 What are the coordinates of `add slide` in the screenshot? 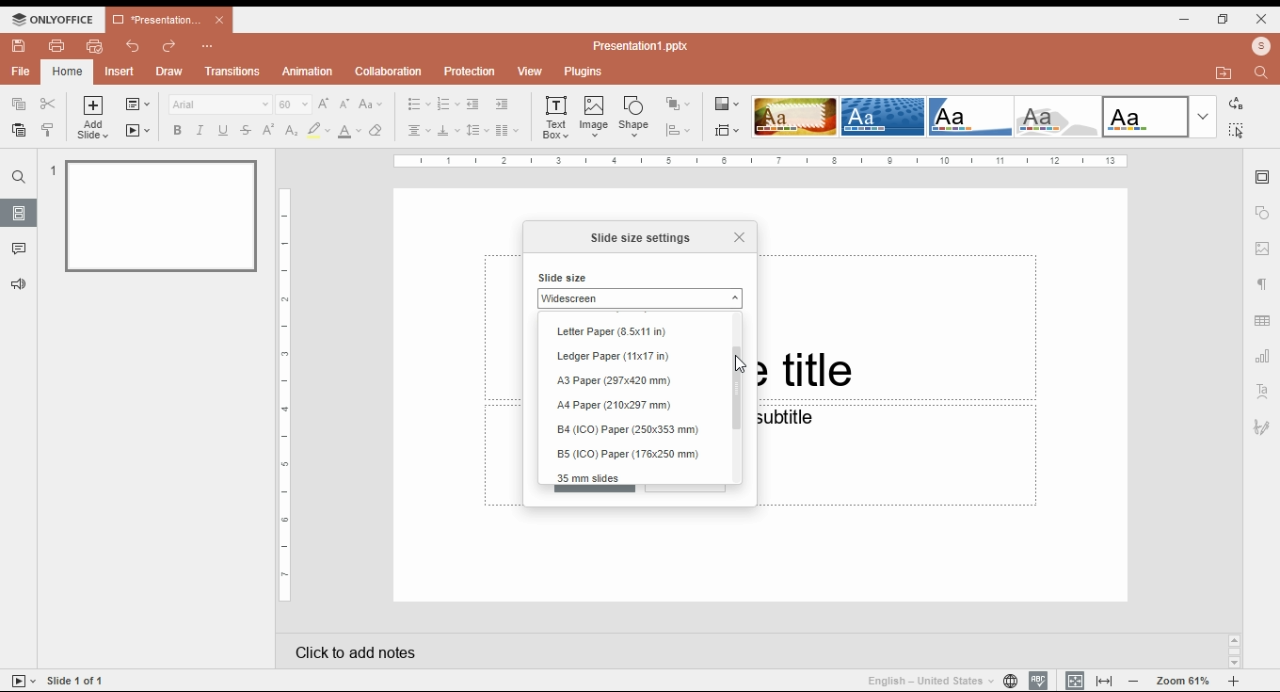 It's located at (95, 118).